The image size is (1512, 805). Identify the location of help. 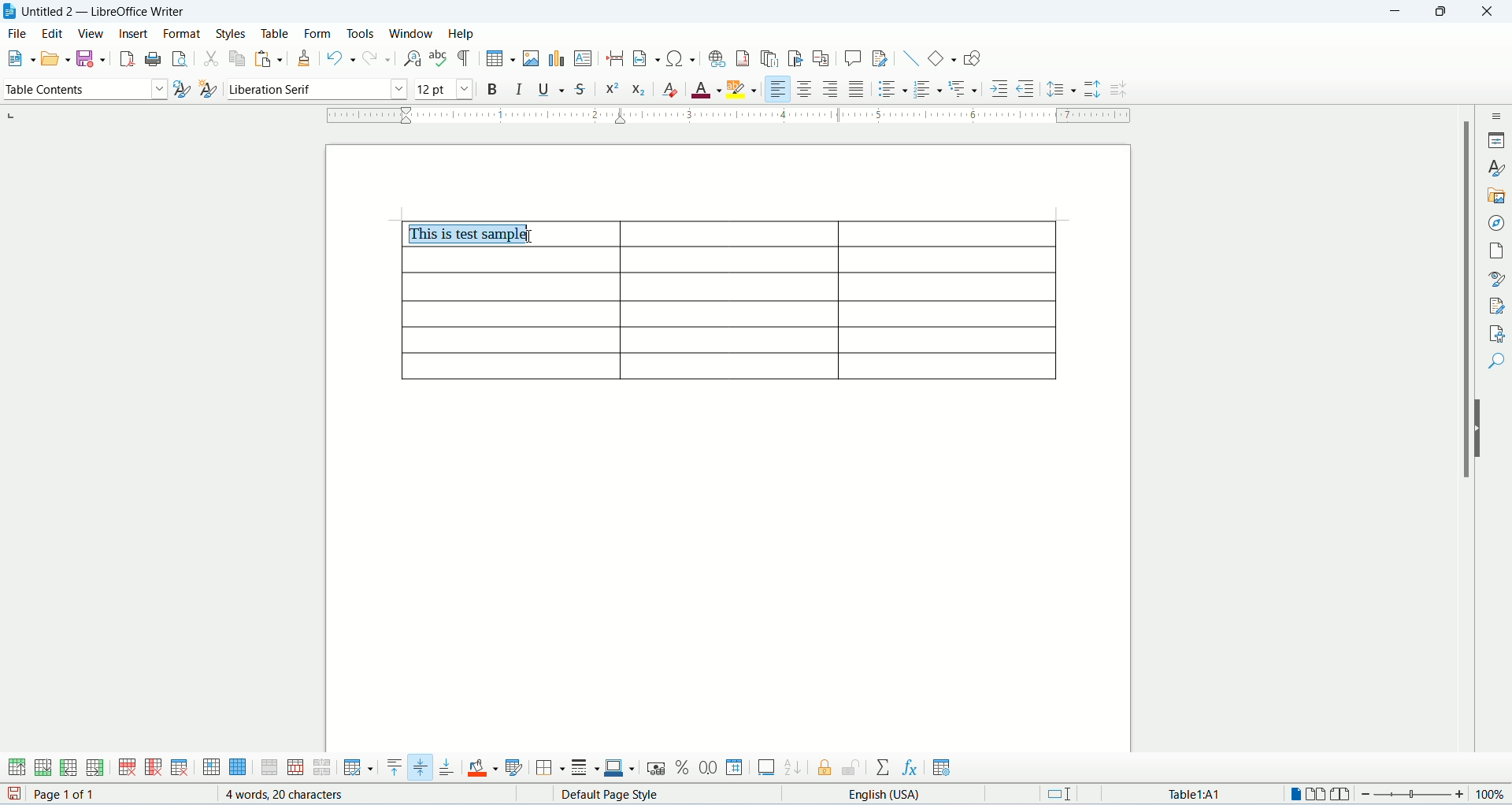
(461, 34).